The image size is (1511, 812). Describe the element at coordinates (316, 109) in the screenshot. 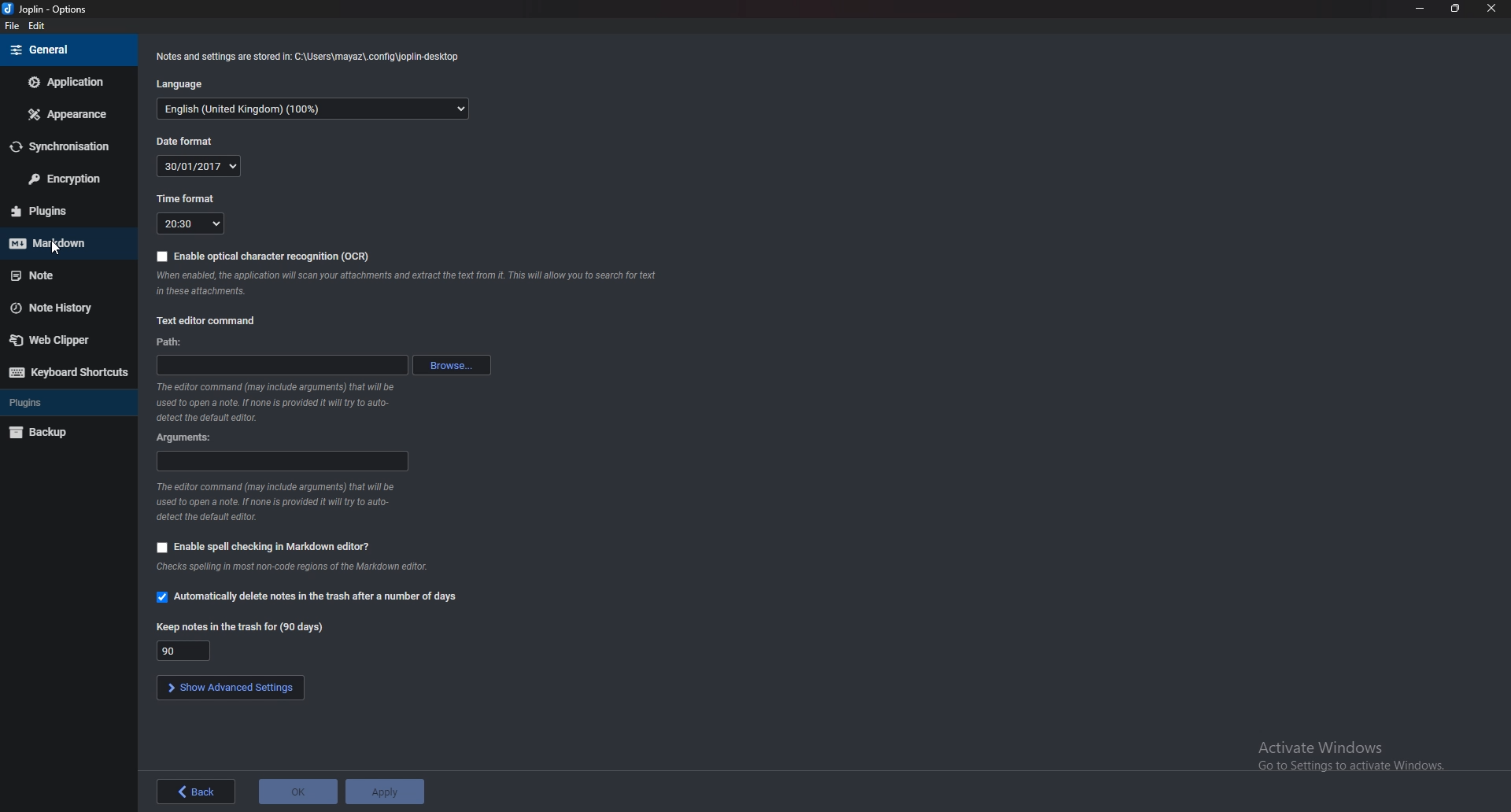

I see `English(language)` at that location.